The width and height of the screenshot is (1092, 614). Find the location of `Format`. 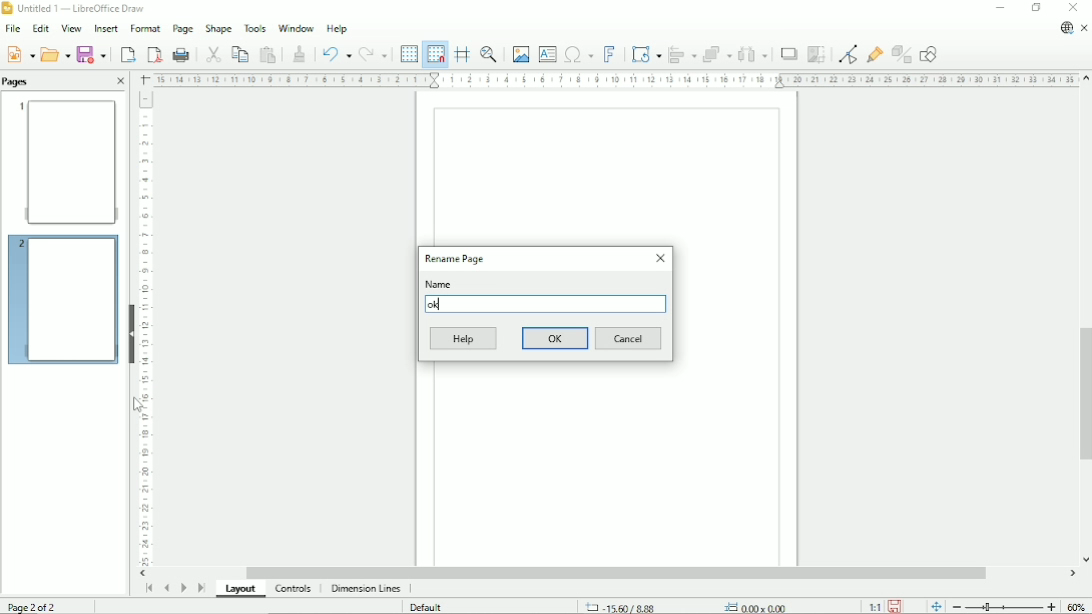

Format is located at coordinates (144, 29).